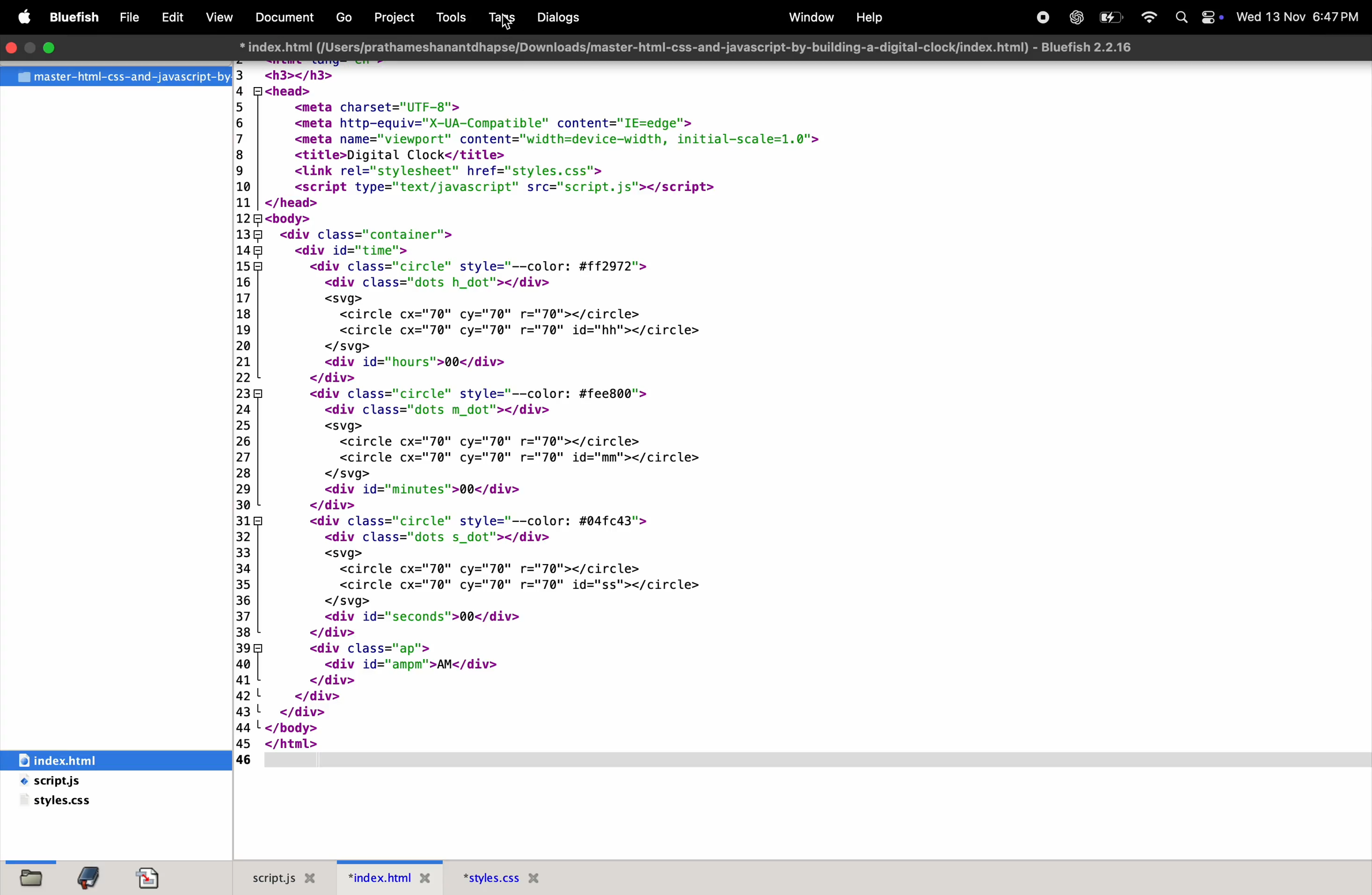  What do you see at coordinates (1039, 17) in the screenshot?
I see `record` at bounding box center [1039, 17].